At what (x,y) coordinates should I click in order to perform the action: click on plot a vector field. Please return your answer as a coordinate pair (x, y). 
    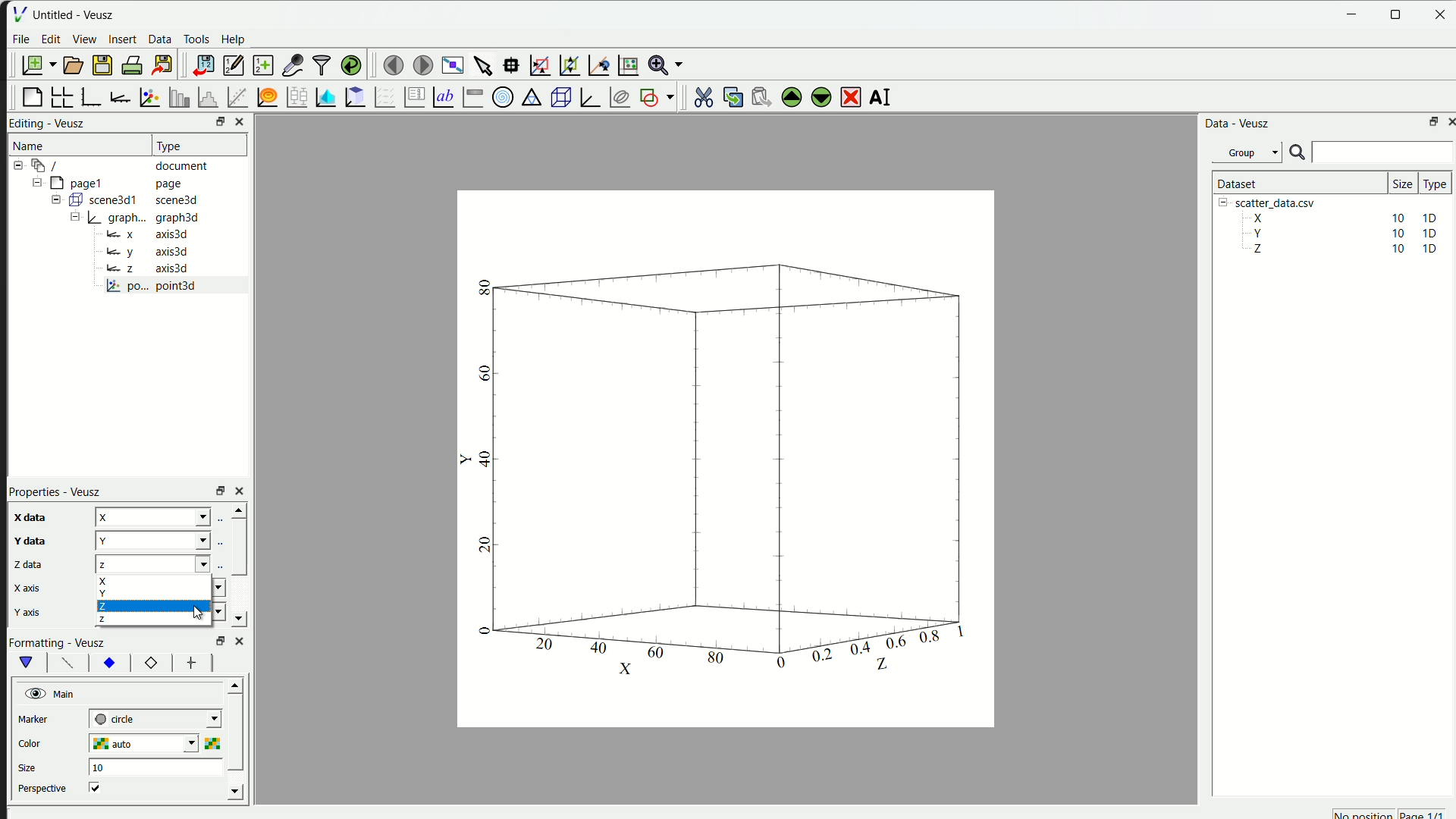
    Looking at the image, I should click on (382, 97).